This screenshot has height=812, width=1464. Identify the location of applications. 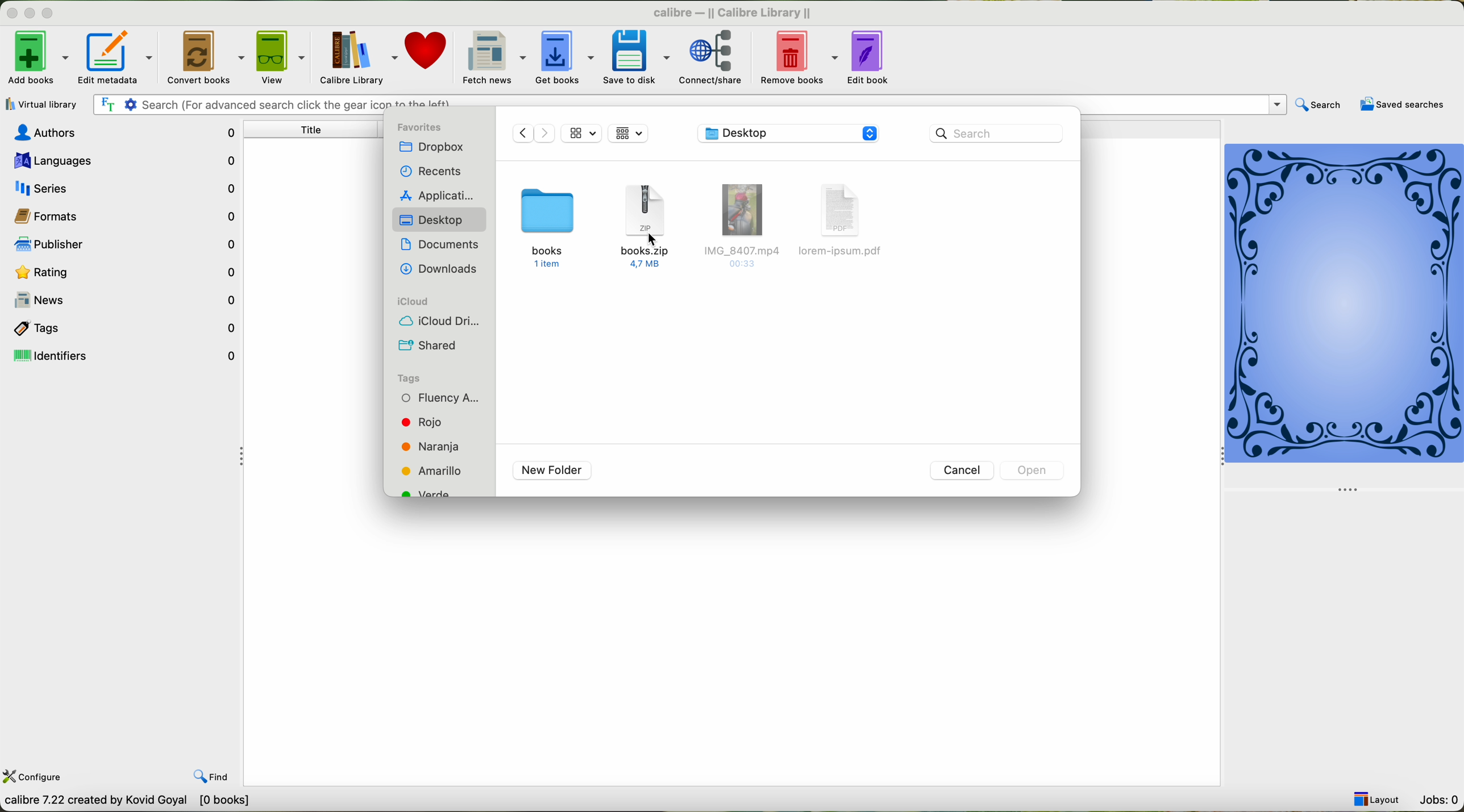
(437, 196).